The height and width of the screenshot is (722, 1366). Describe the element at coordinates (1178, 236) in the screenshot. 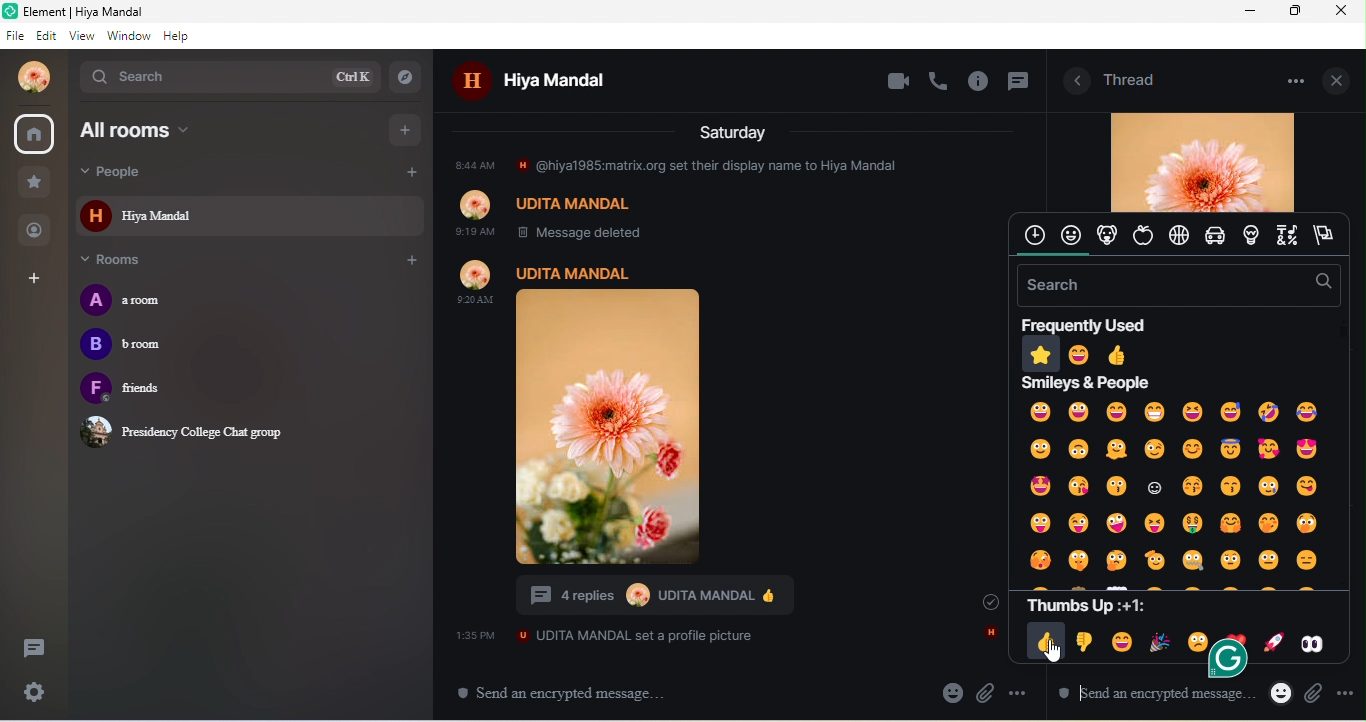

I see `emoji types` at that location.